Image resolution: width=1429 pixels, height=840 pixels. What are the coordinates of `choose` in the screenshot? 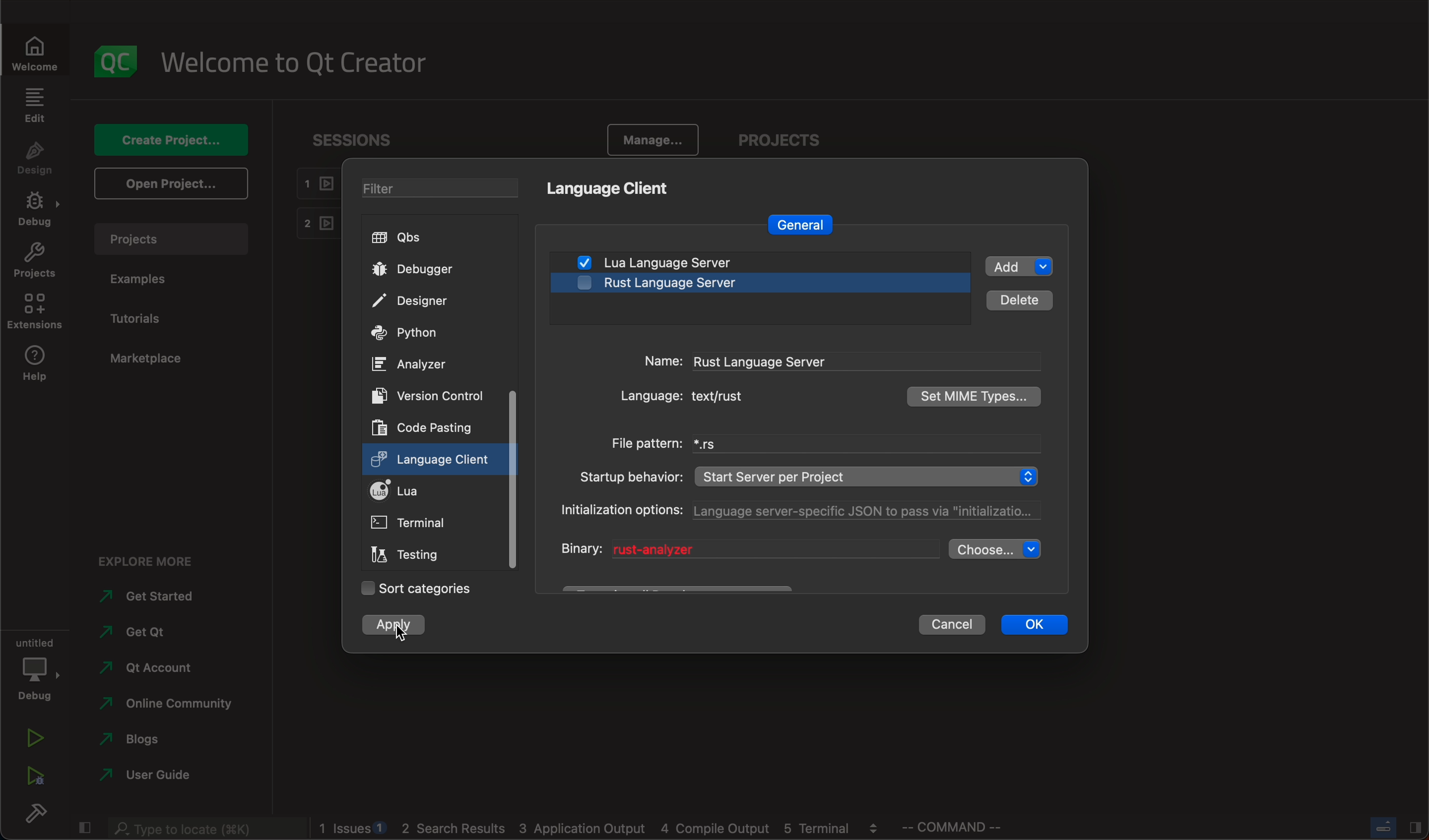 It's located at (1001, 550).